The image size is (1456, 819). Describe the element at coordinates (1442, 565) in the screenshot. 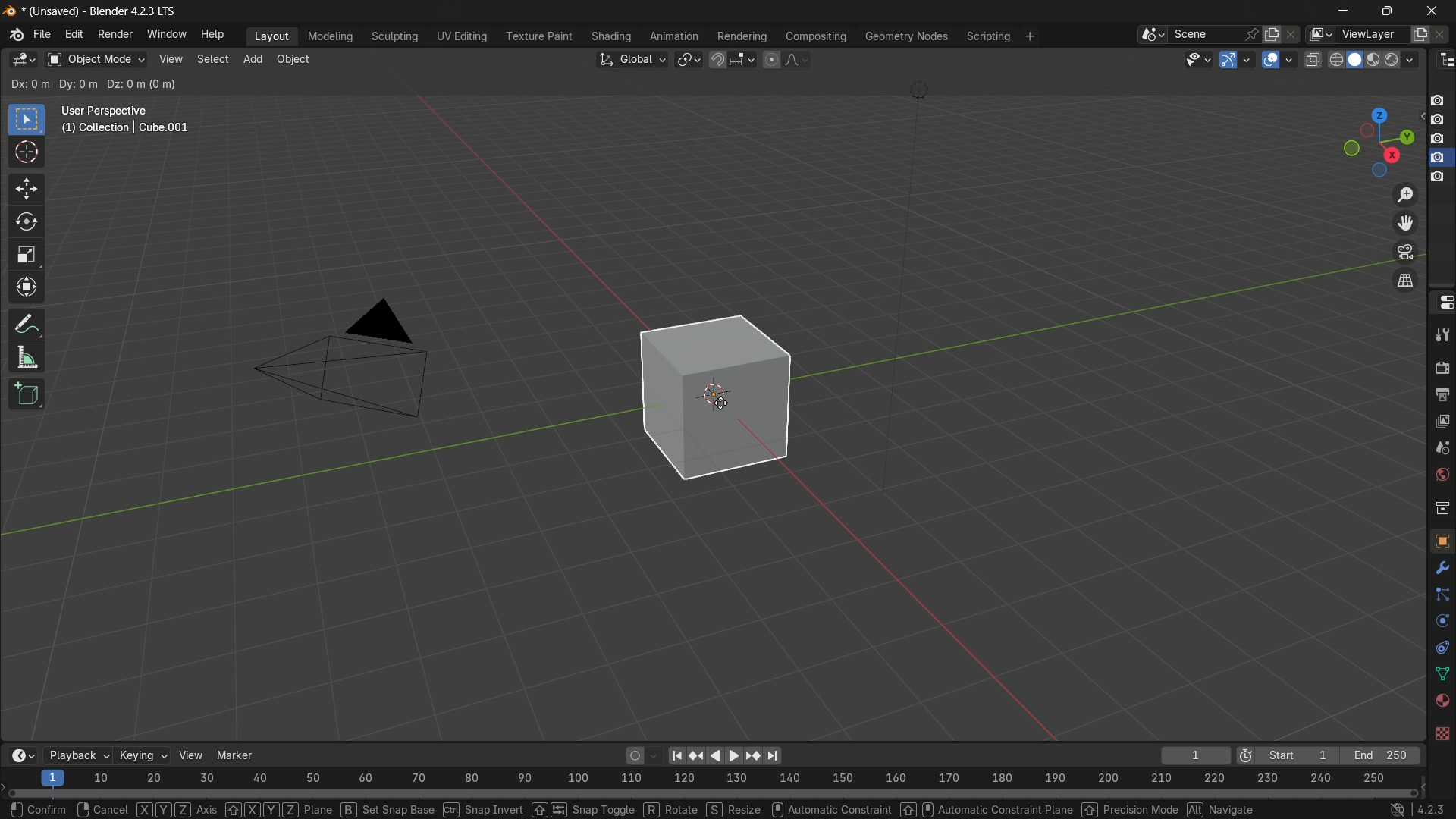

I see `modifier` at that location.